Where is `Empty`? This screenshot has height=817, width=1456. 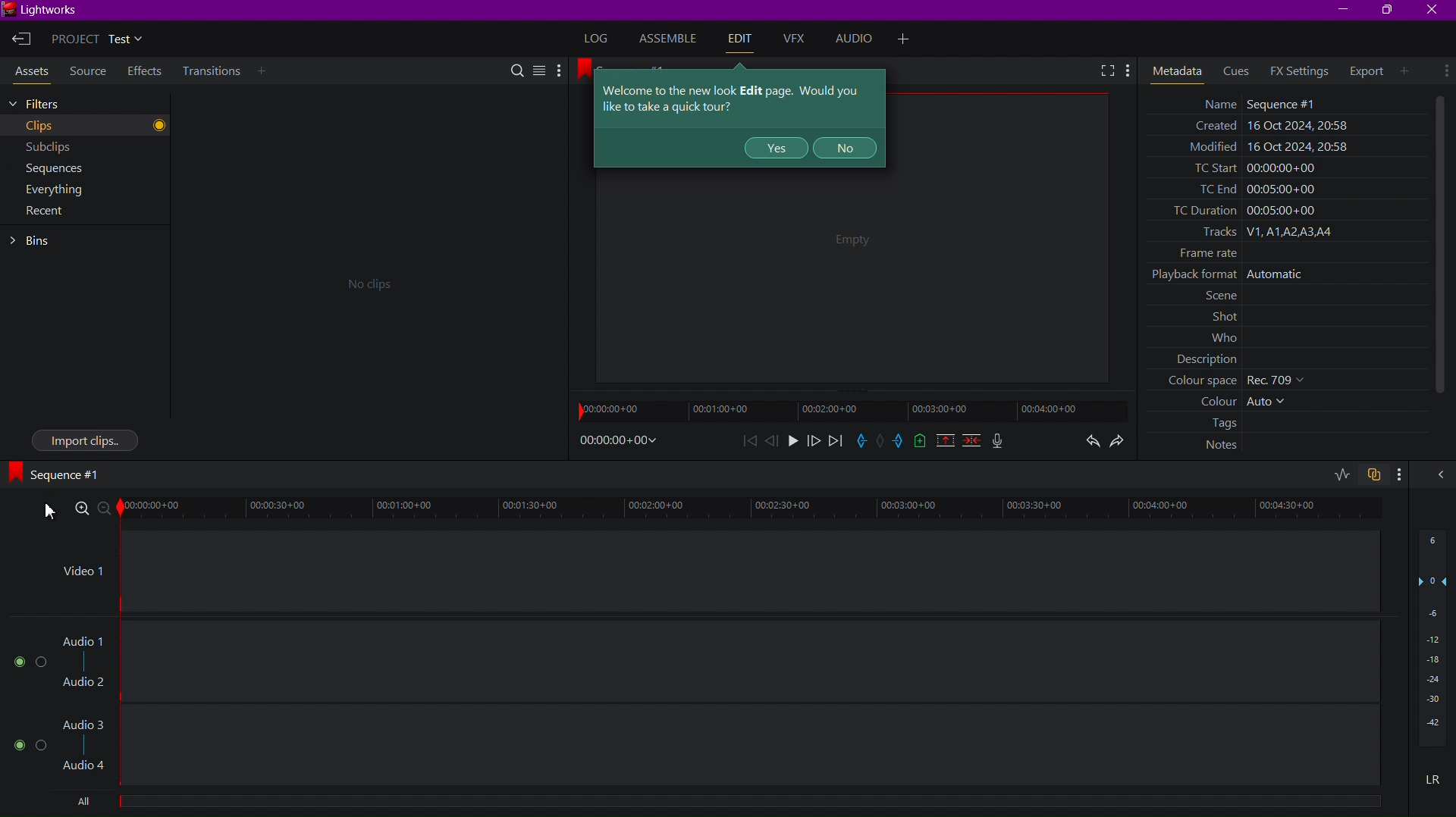 Empty is located at coordinates (851, 280).